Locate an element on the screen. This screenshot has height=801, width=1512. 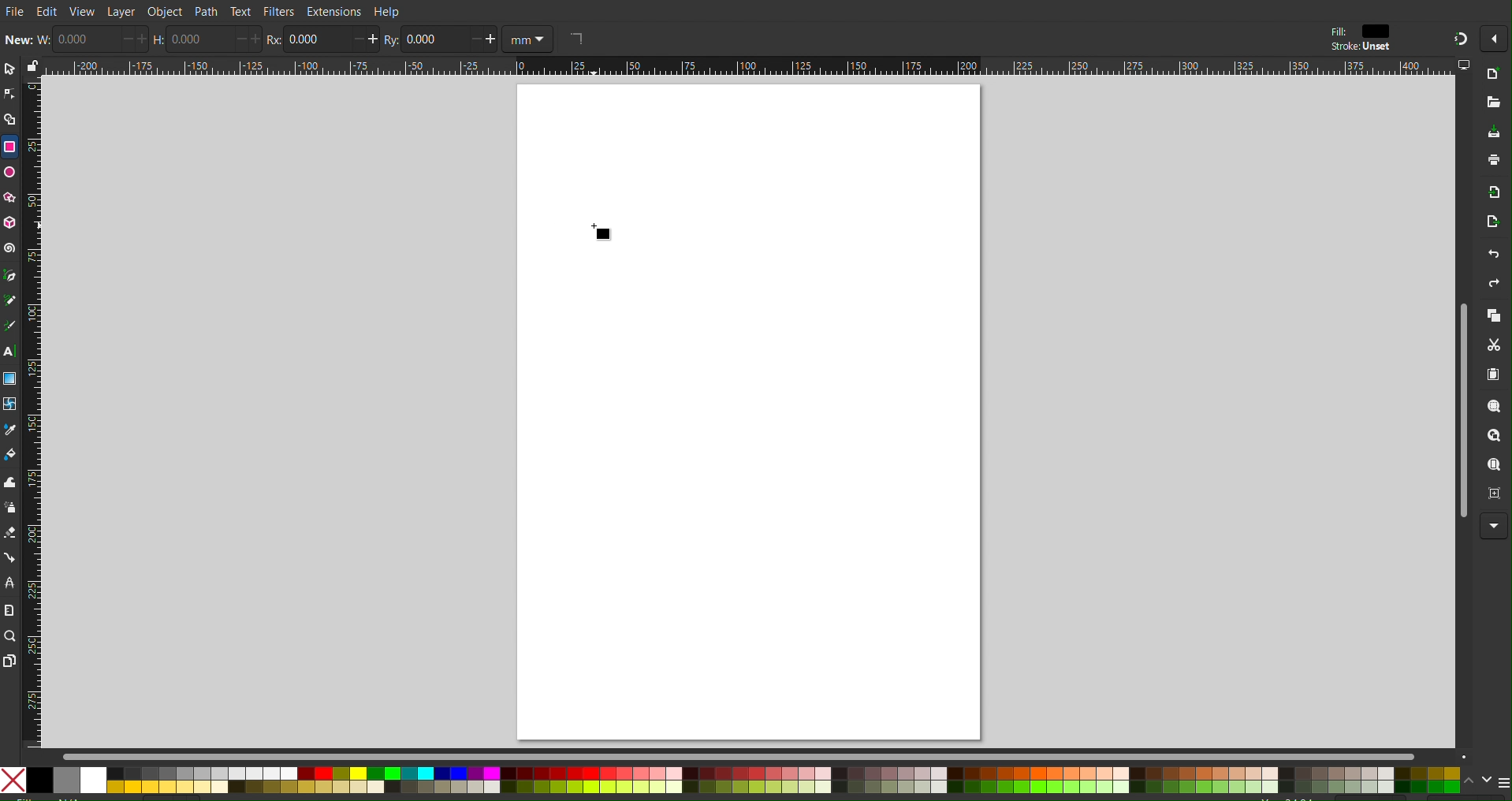
Connection is located at coordinates (9, 557).